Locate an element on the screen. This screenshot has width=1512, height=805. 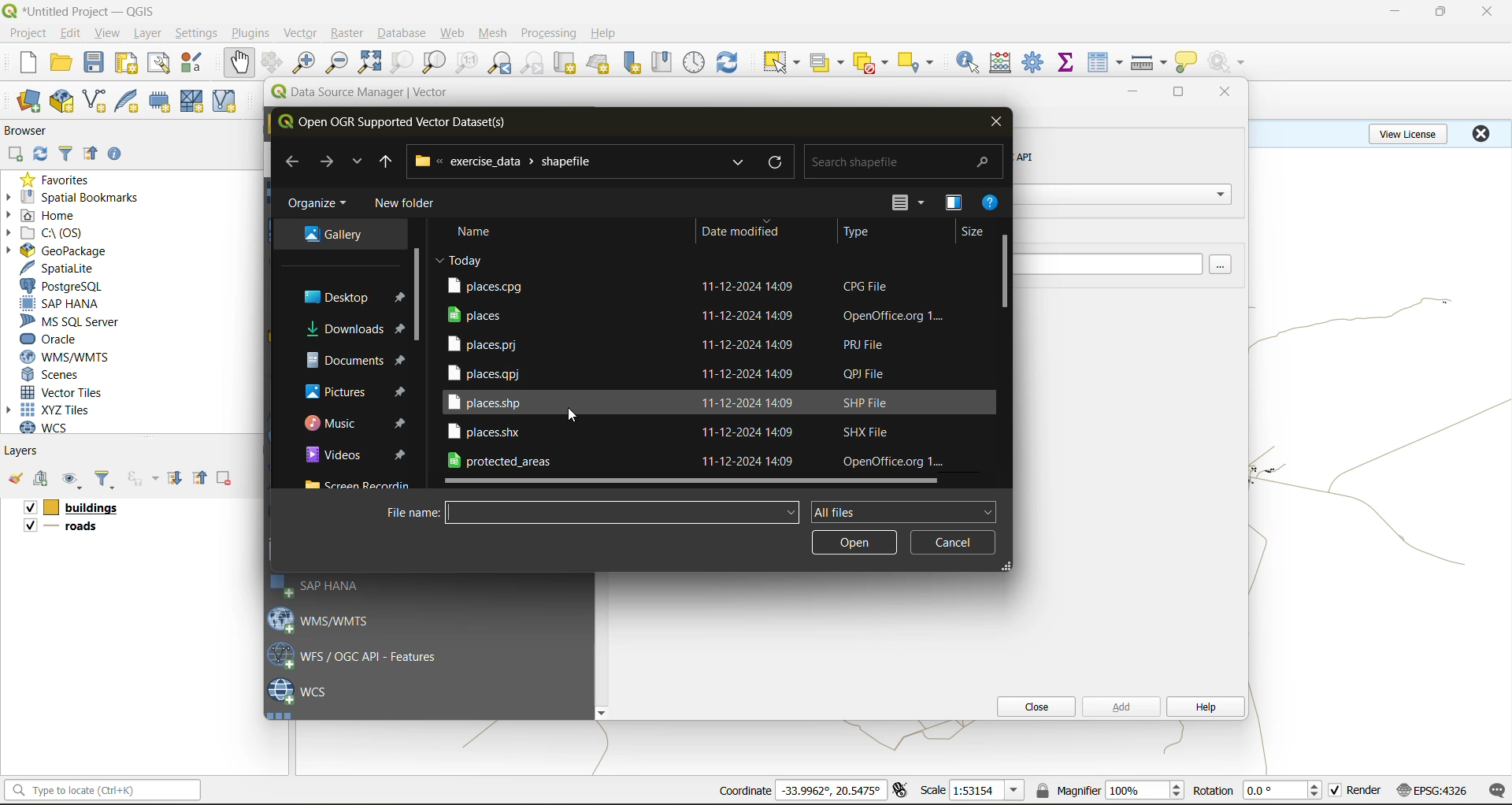
save is located at coordinates (98, 63).